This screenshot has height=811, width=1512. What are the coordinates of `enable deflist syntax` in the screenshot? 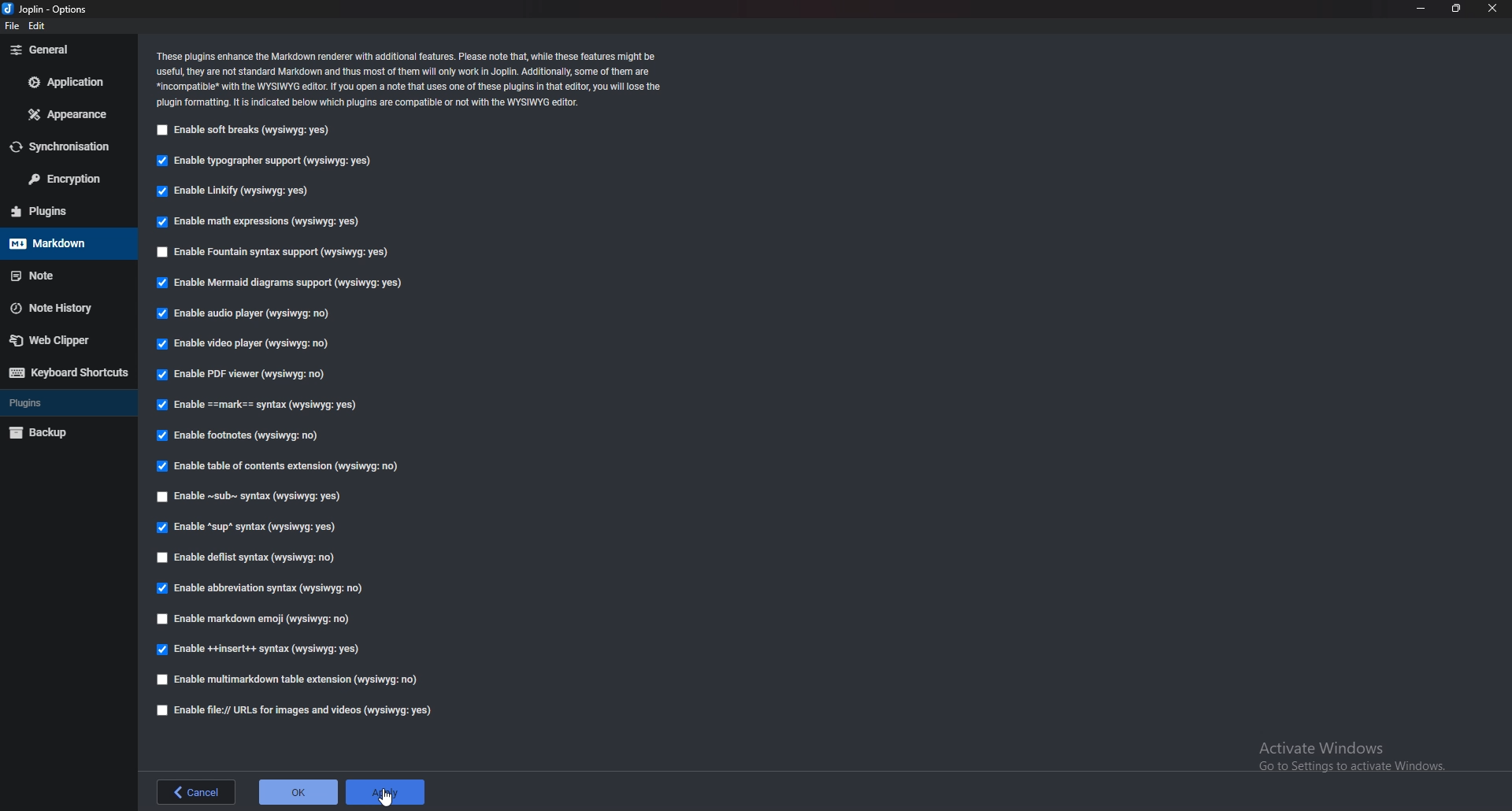 It's located at (253, 557).